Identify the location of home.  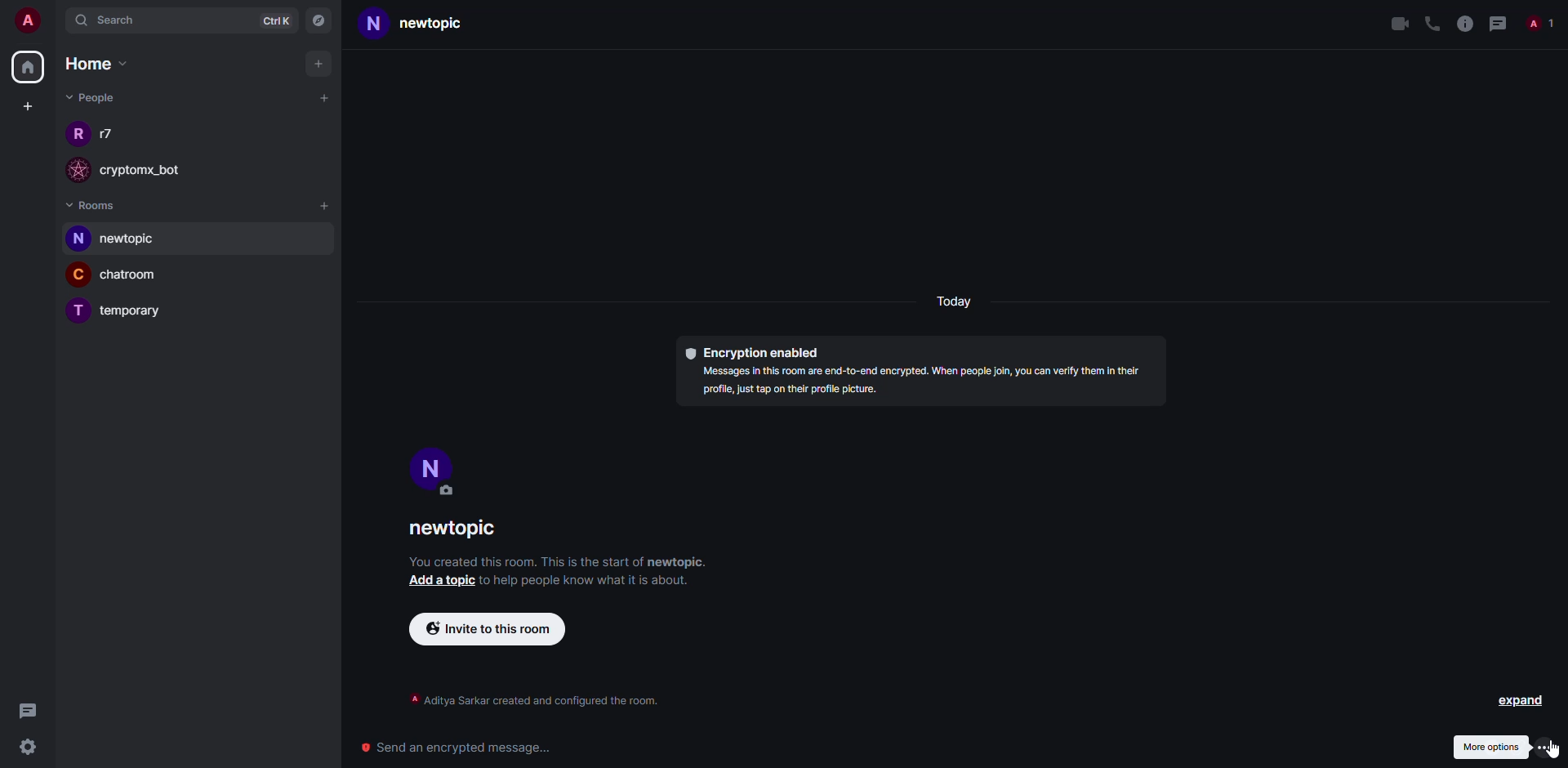
(101, 63).